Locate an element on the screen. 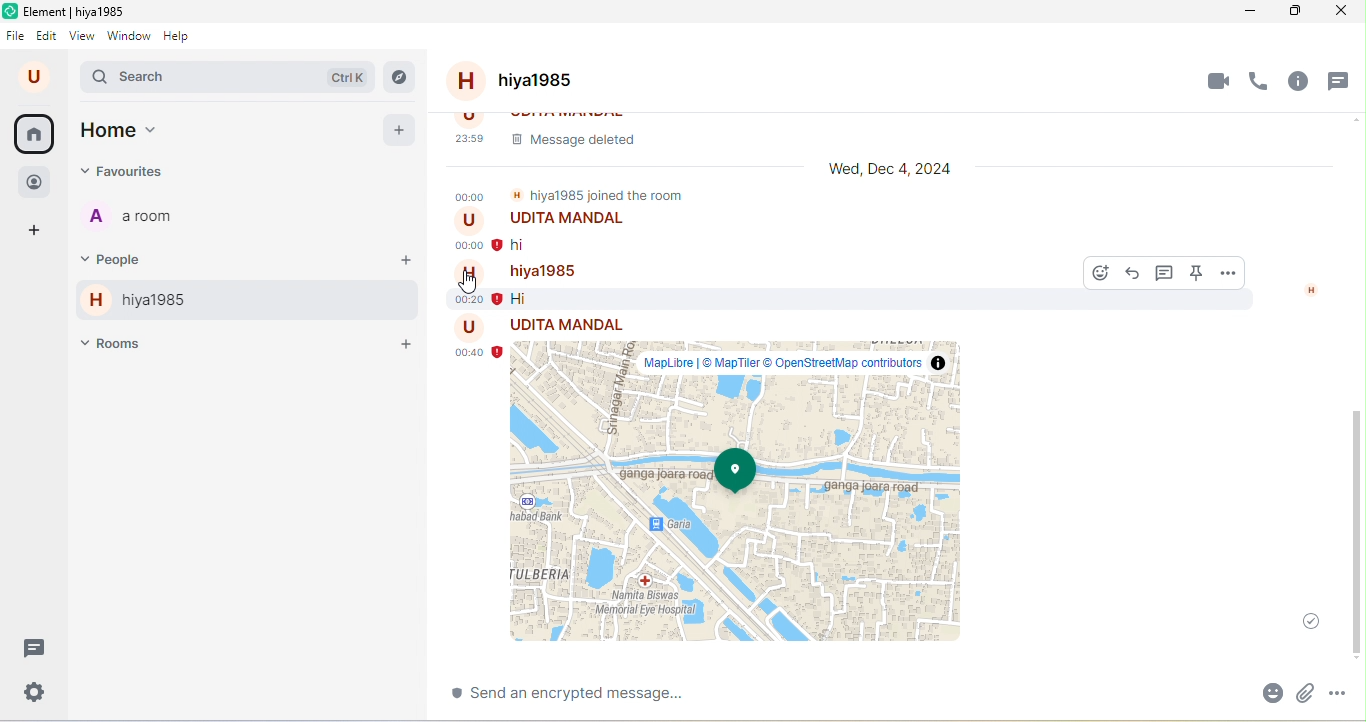 This screenshot has width=1366, height=722. help is located at coordinates (183, 37).